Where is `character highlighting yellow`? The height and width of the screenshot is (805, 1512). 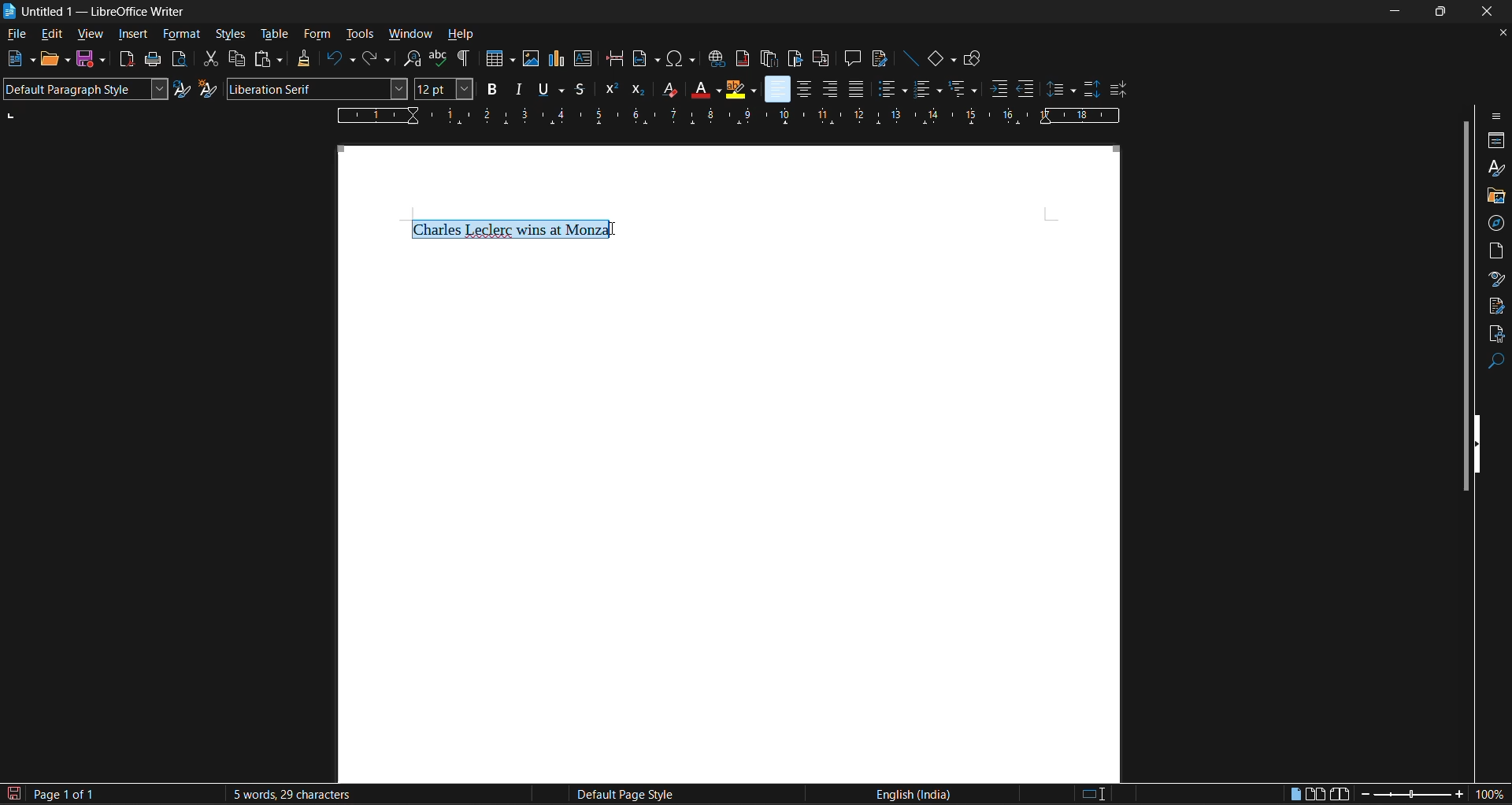 character highlighting yellow is located at coordinates (741, 90).